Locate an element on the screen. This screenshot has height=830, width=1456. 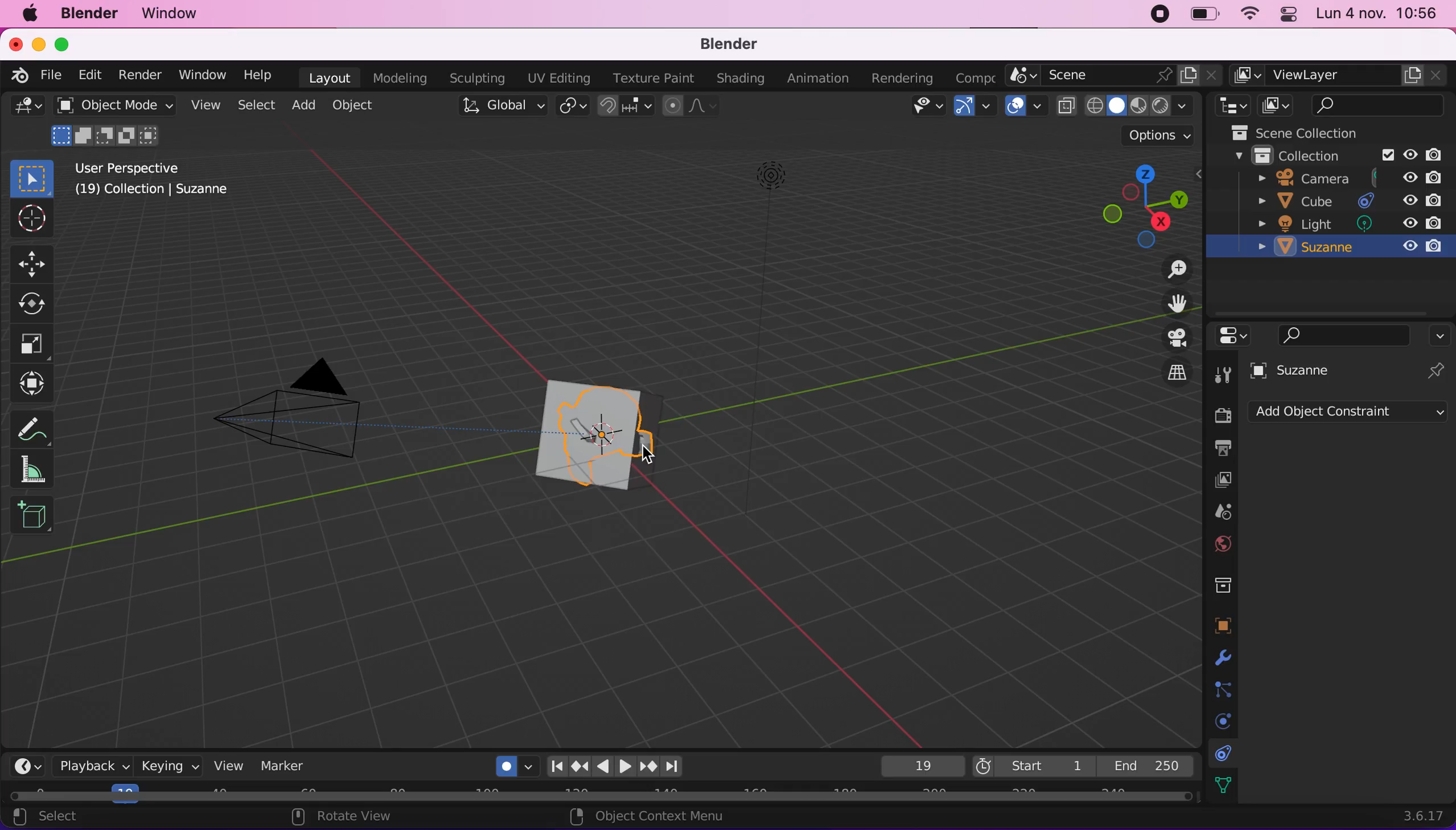
texture paint is located at coordinates (654, 78).